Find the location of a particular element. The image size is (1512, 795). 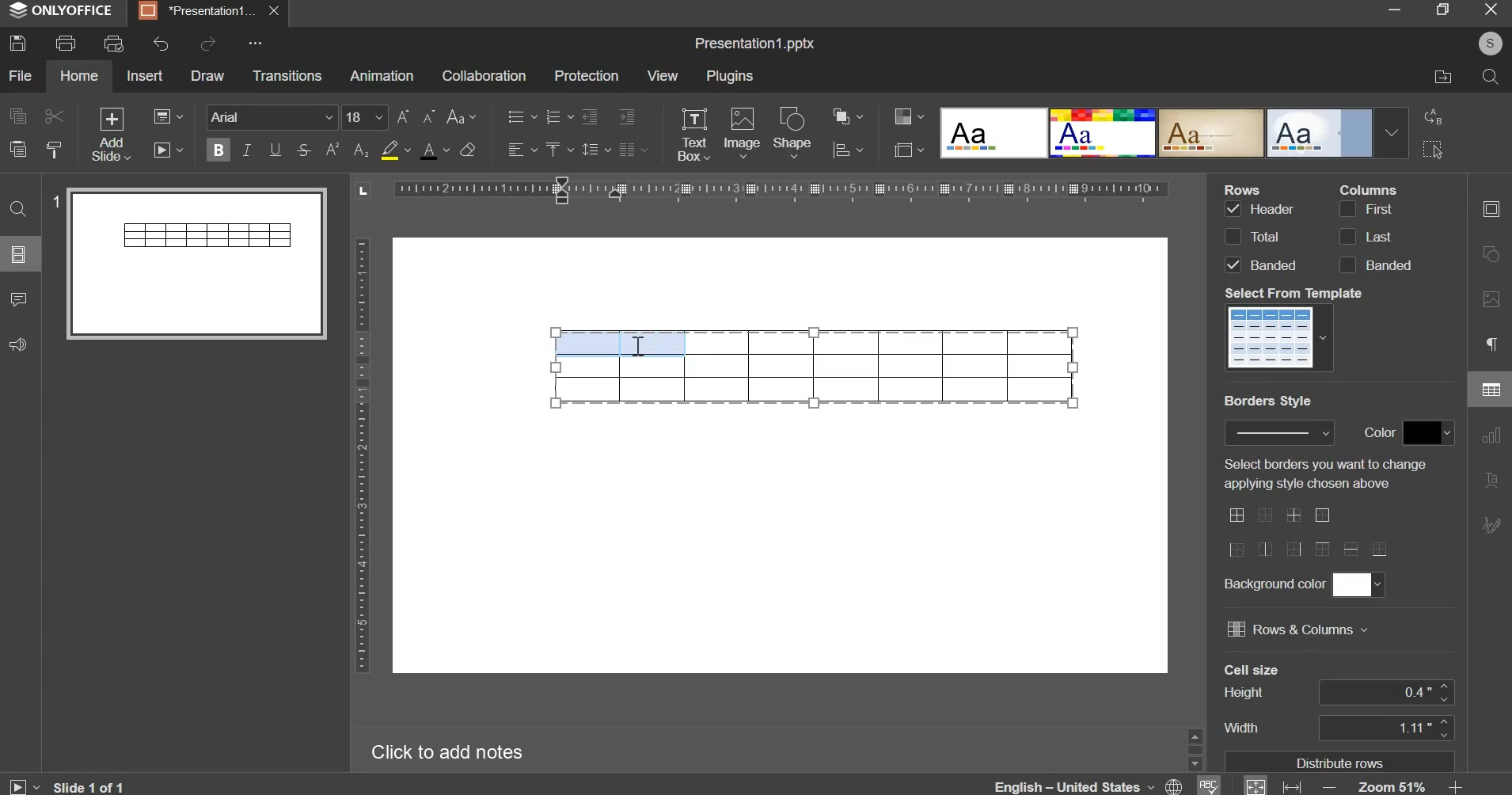

bold is located at coordinates (218, 147).